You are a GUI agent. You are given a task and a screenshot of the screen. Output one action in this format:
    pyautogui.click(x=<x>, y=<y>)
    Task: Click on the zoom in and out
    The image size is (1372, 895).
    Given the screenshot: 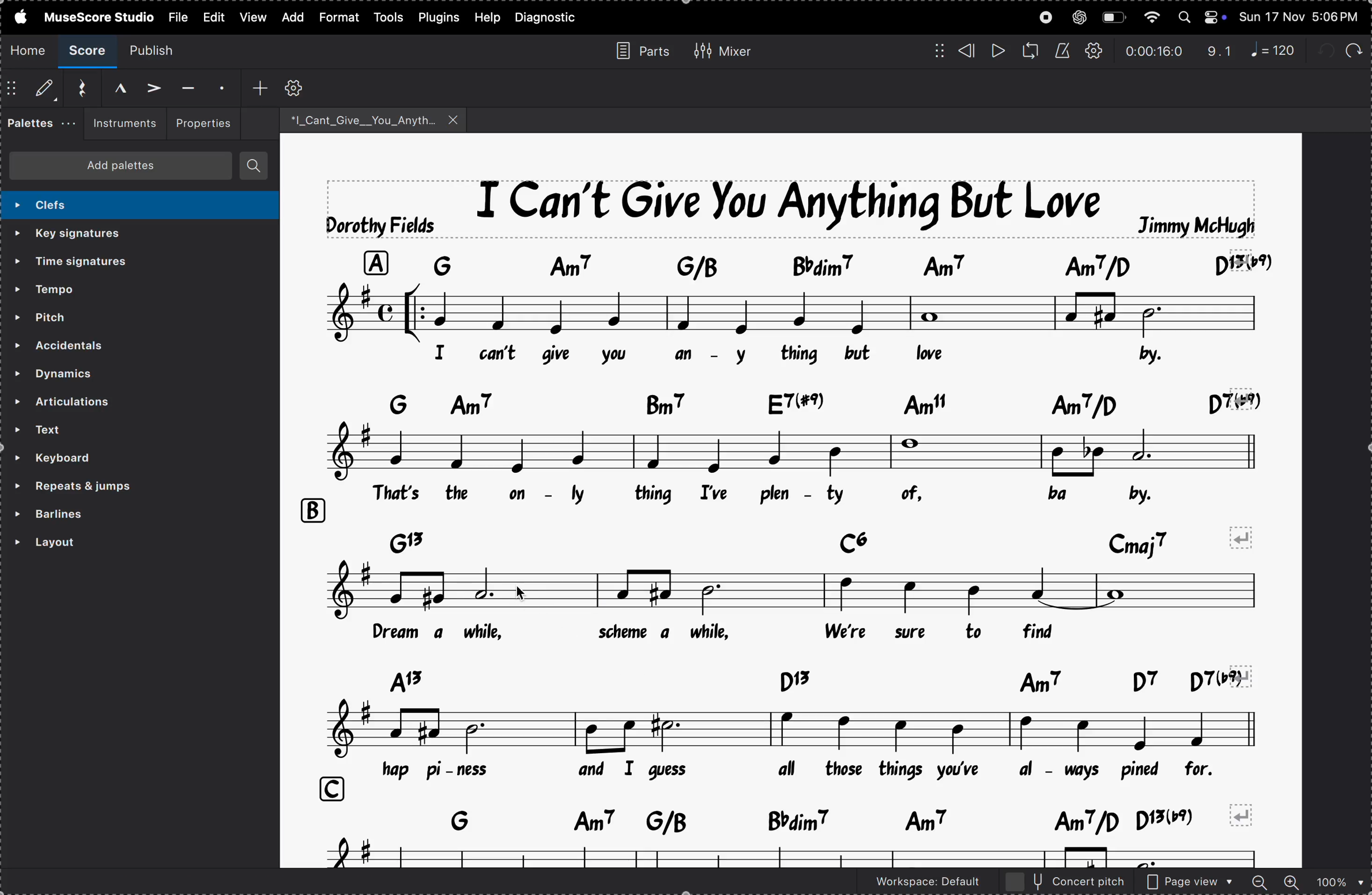 What is the action you would take?
    pyautogui.click(x=1307, y=883)
    